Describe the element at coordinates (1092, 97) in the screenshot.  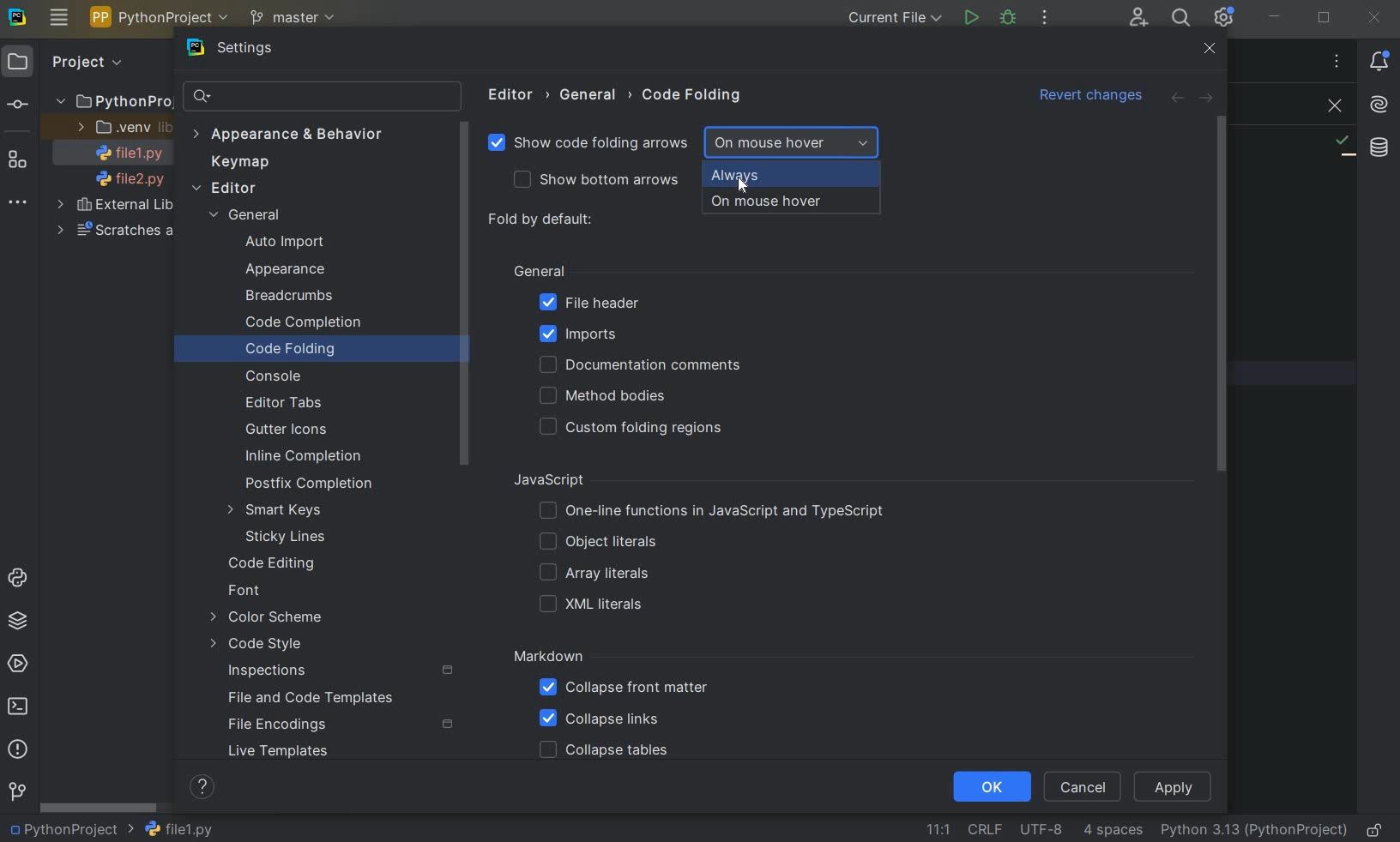
I see `REVERT CHANGES` at that location.